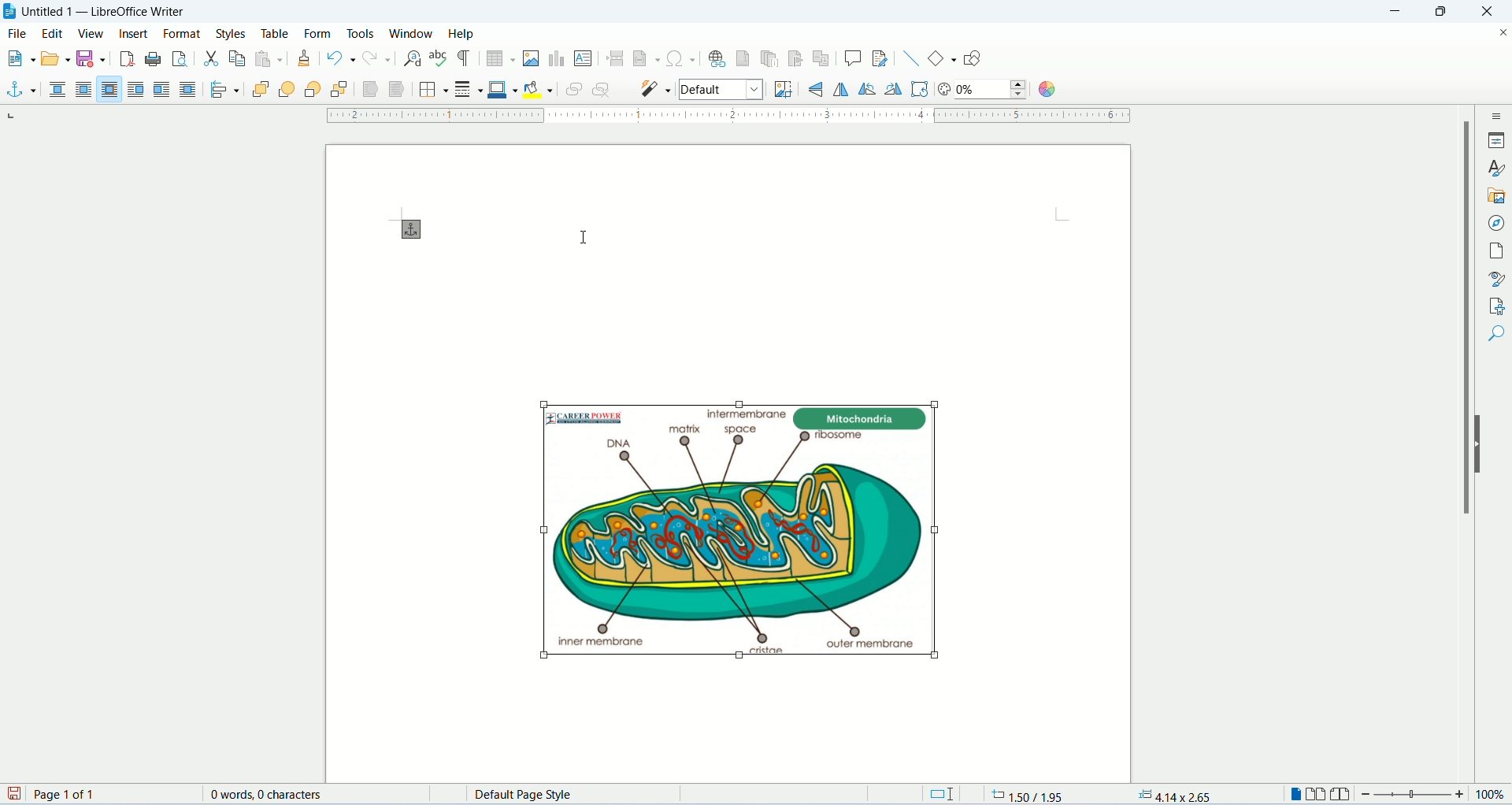 The height and width of the screenshot is (805, 1512). What do you see at coordinates (556, 59) in the screenshot?
I see `insert chart` at bounding box center [556, 59].